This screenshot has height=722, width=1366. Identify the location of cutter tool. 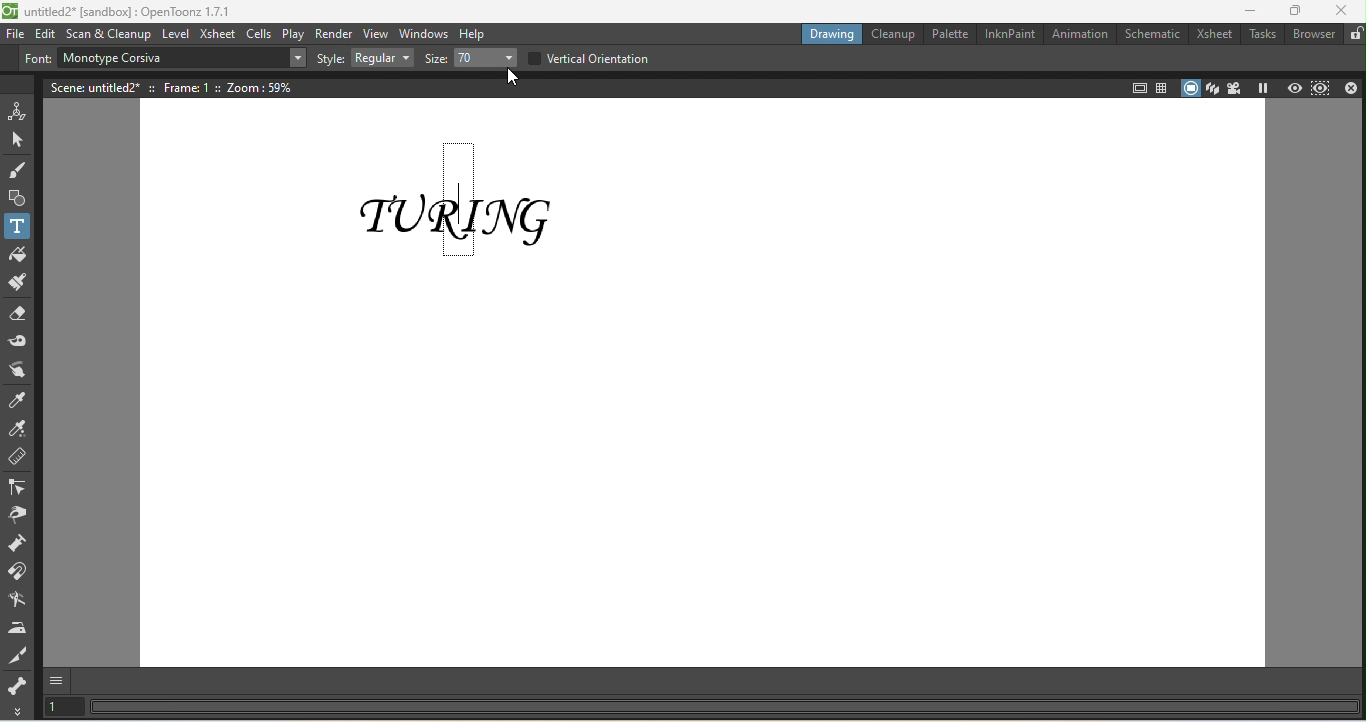
(19, 653).